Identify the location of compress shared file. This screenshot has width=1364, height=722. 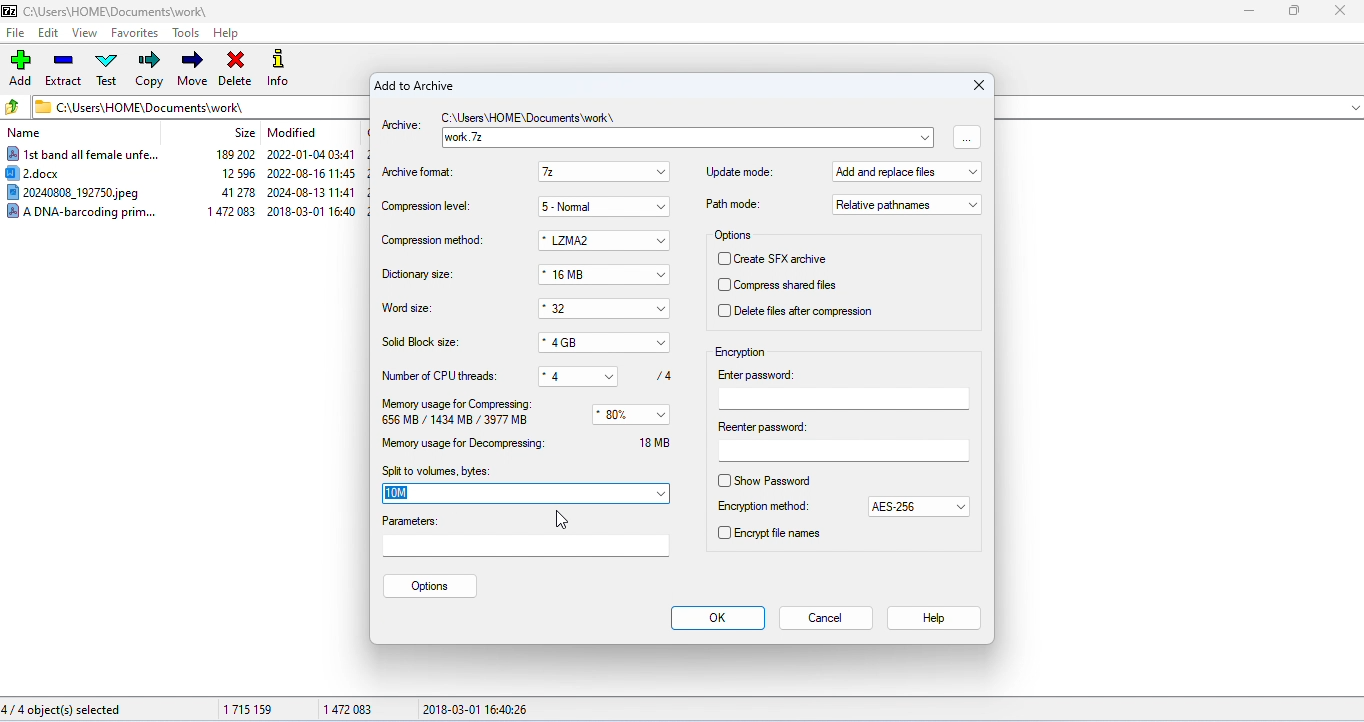
(794, 286).